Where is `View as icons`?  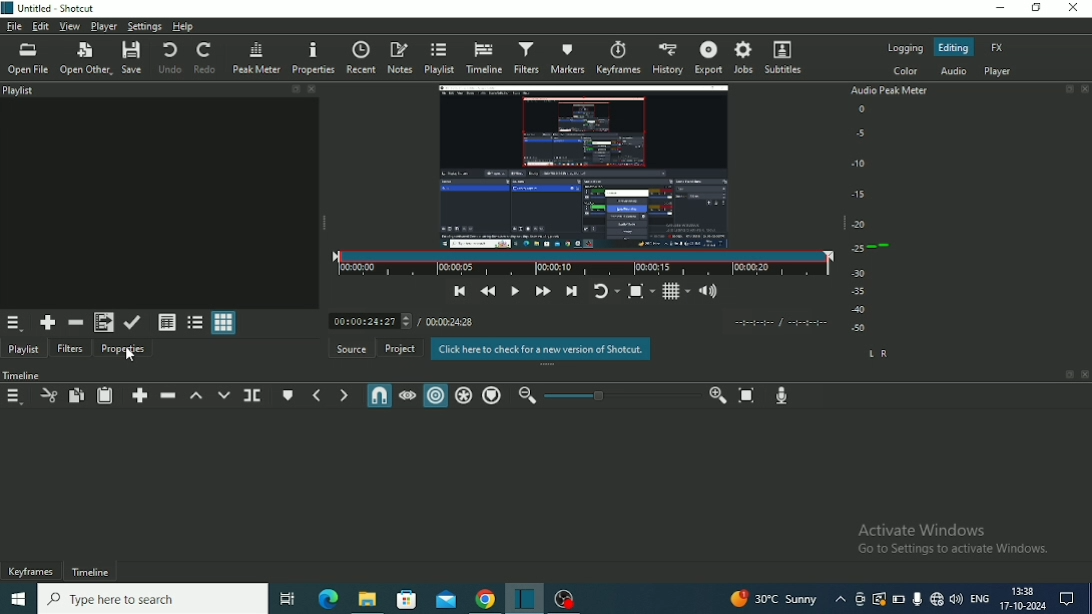 View as icons is located at coordinates (224, 322).